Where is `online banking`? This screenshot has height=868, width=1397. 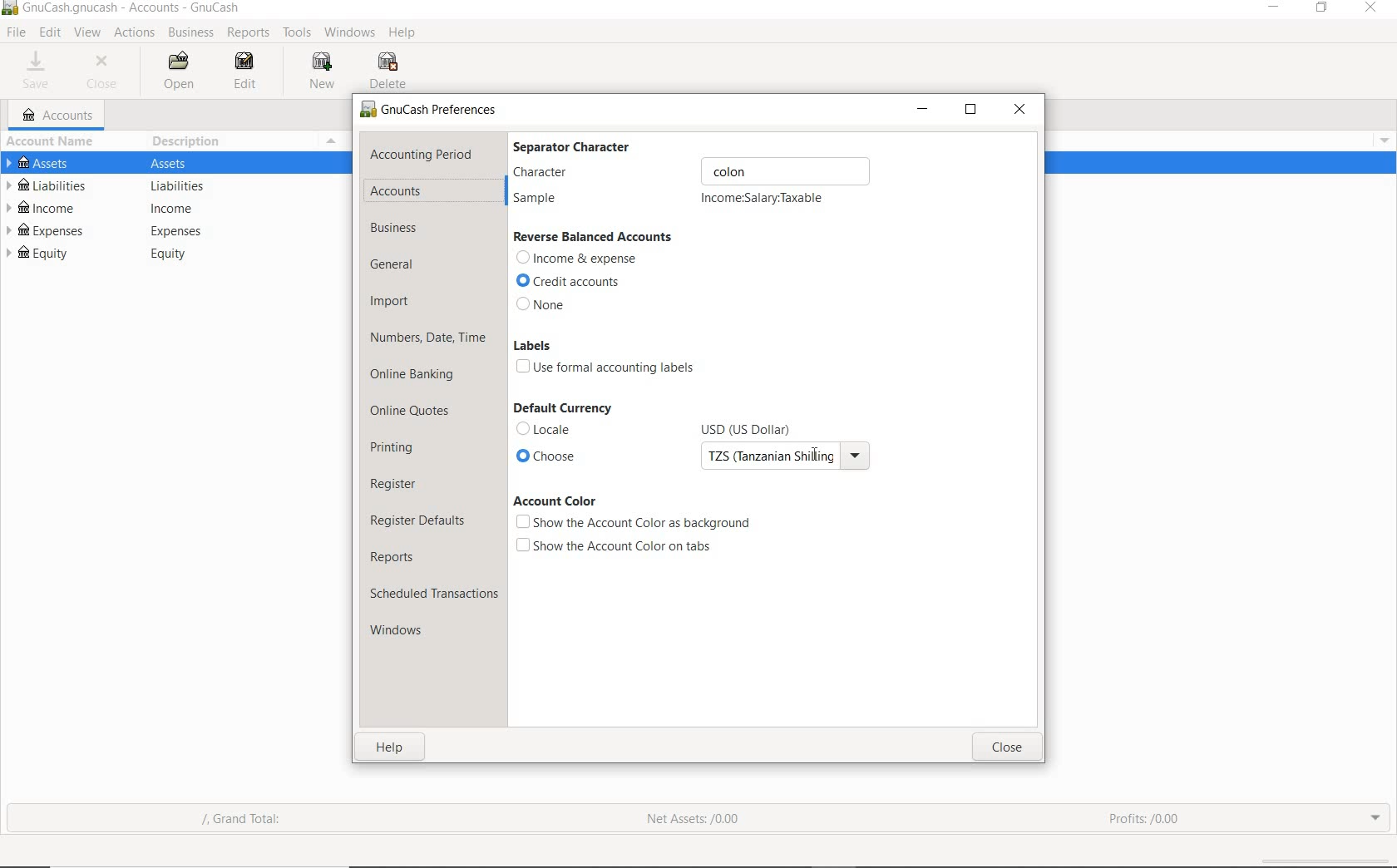 online banking is located at coordinates (416, 377).